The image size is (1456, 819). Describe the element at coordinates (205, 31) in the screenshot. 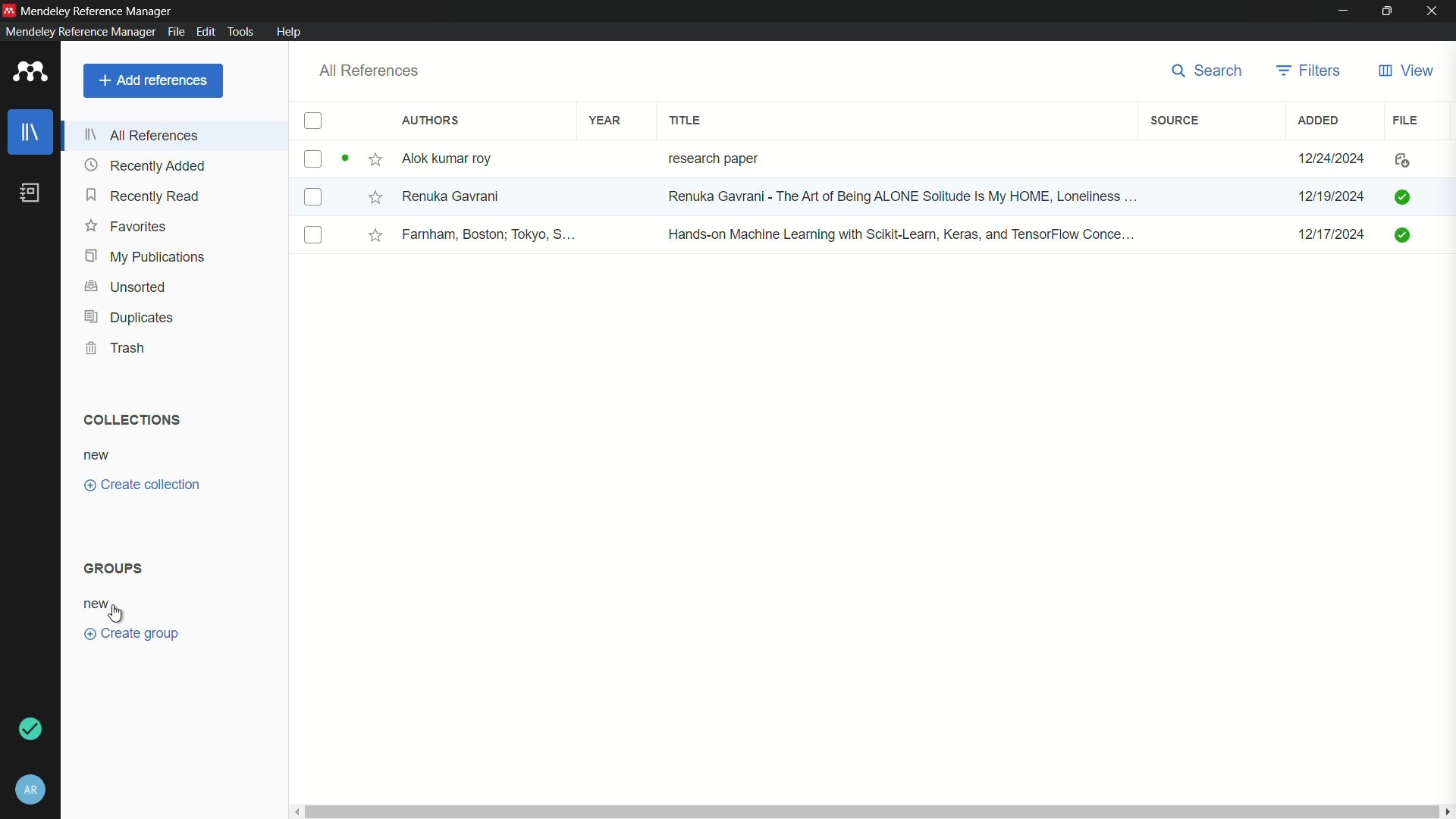

I see `edit menu` at that location.